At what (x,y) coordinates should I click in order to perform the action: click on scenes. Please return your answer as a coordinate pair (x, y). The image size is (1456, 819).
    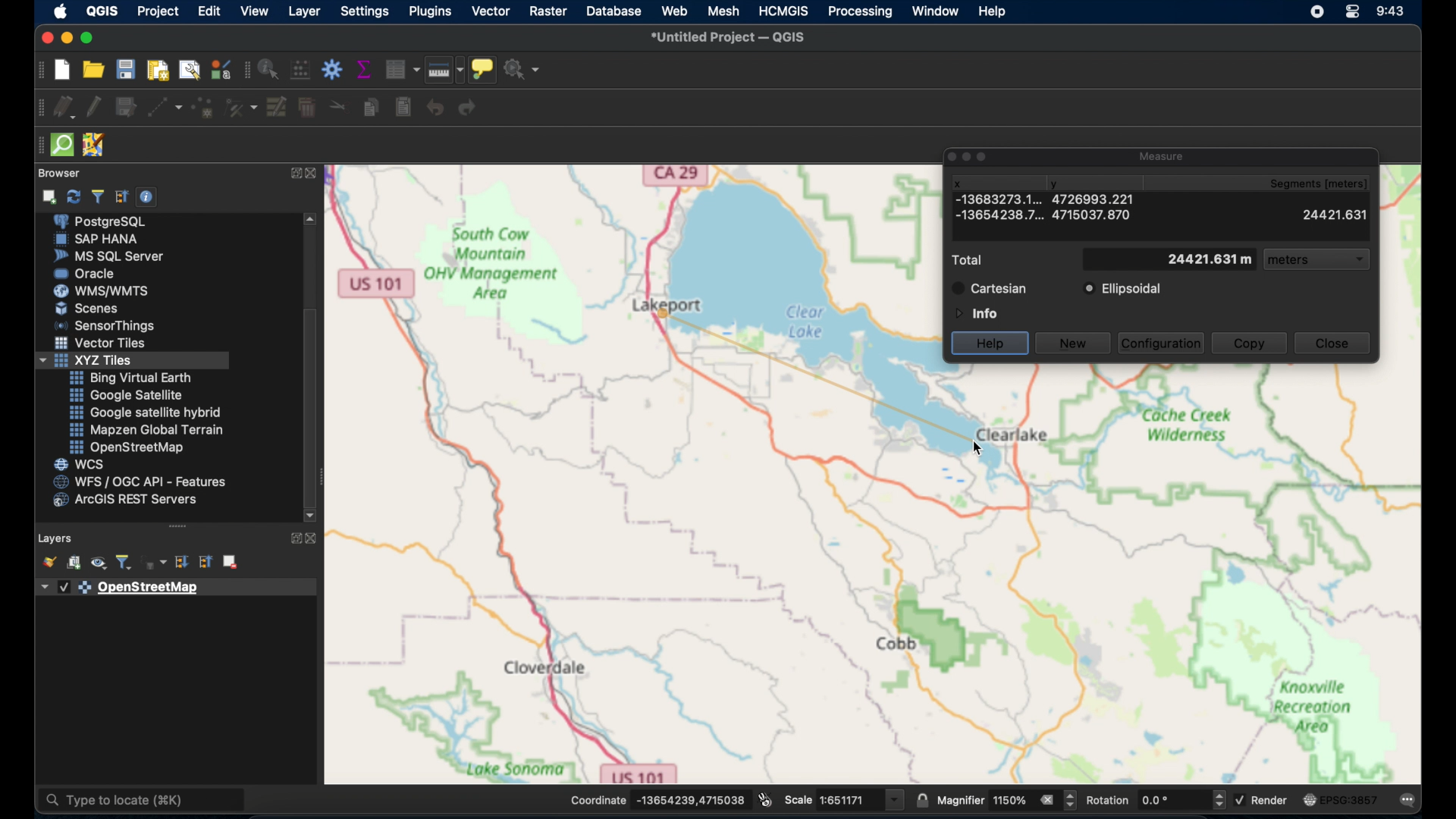
    Looking at the image, I should click on (87, 308).